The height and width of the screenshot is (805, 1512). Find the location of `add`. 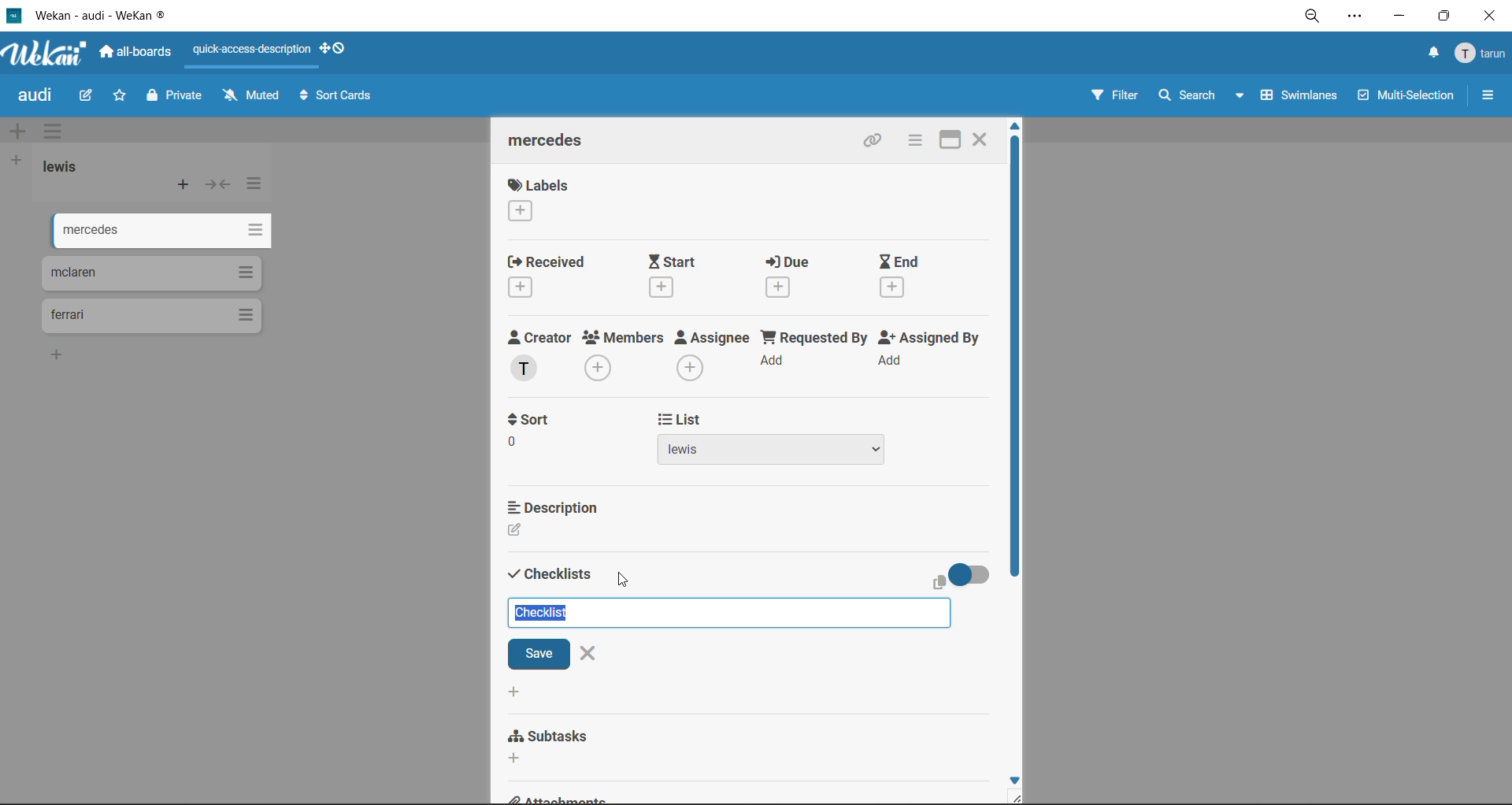

add is located at coordinates (514, 691).